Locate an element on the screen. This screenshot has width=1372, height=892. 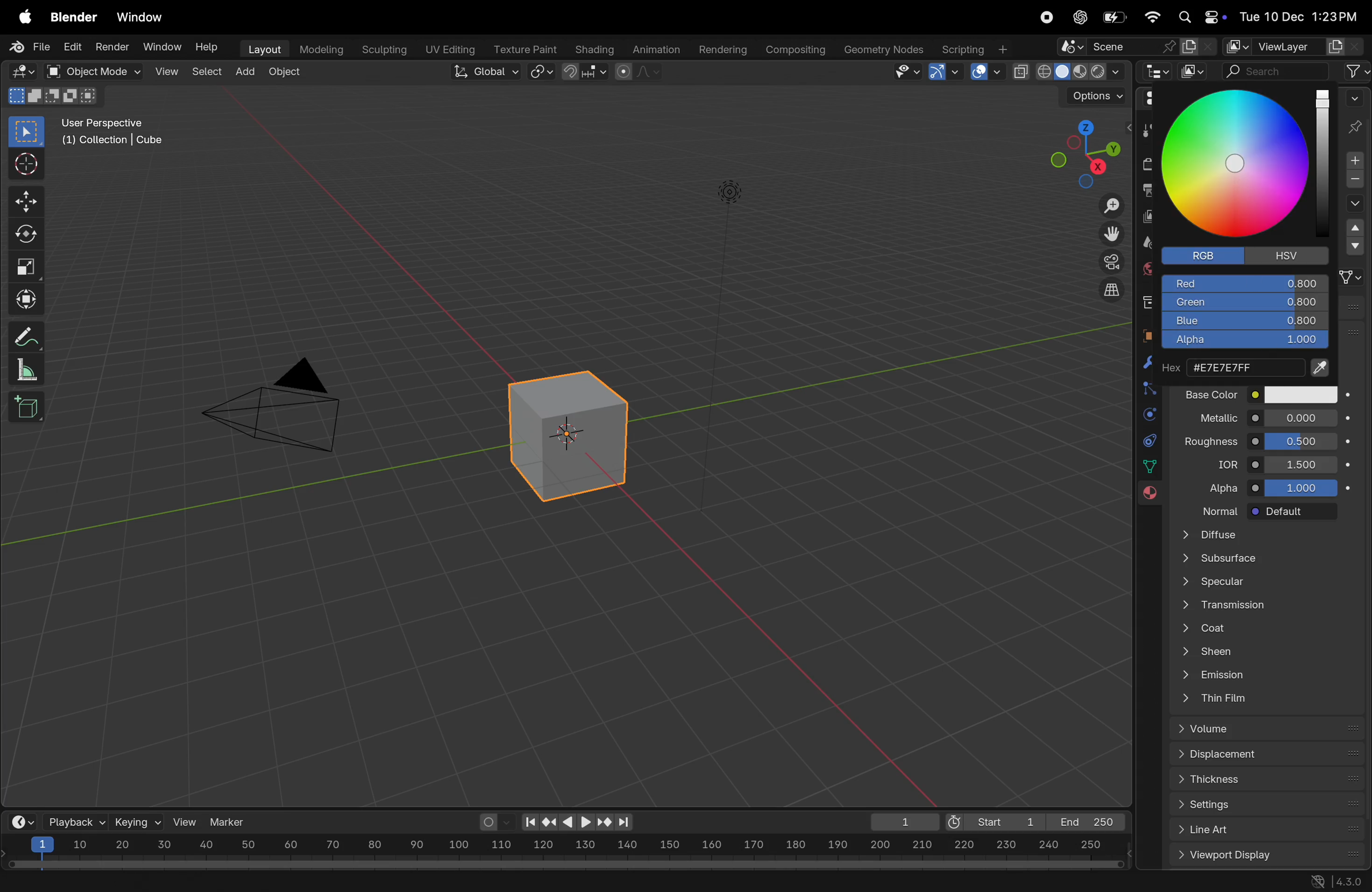
cursor is located at coordinates (1241, 164).